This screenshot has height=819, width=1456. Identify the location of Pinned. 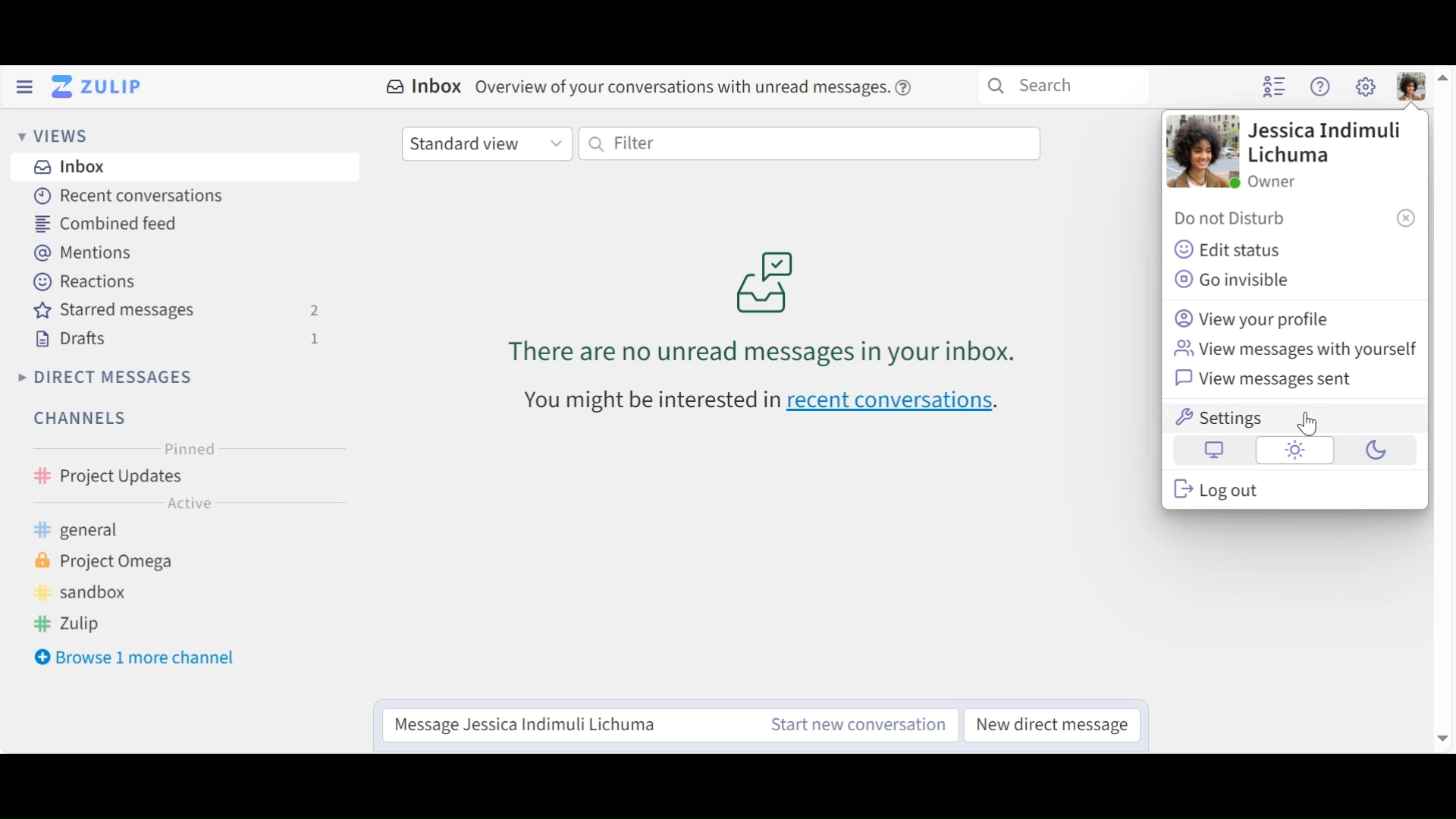
(184, 448).